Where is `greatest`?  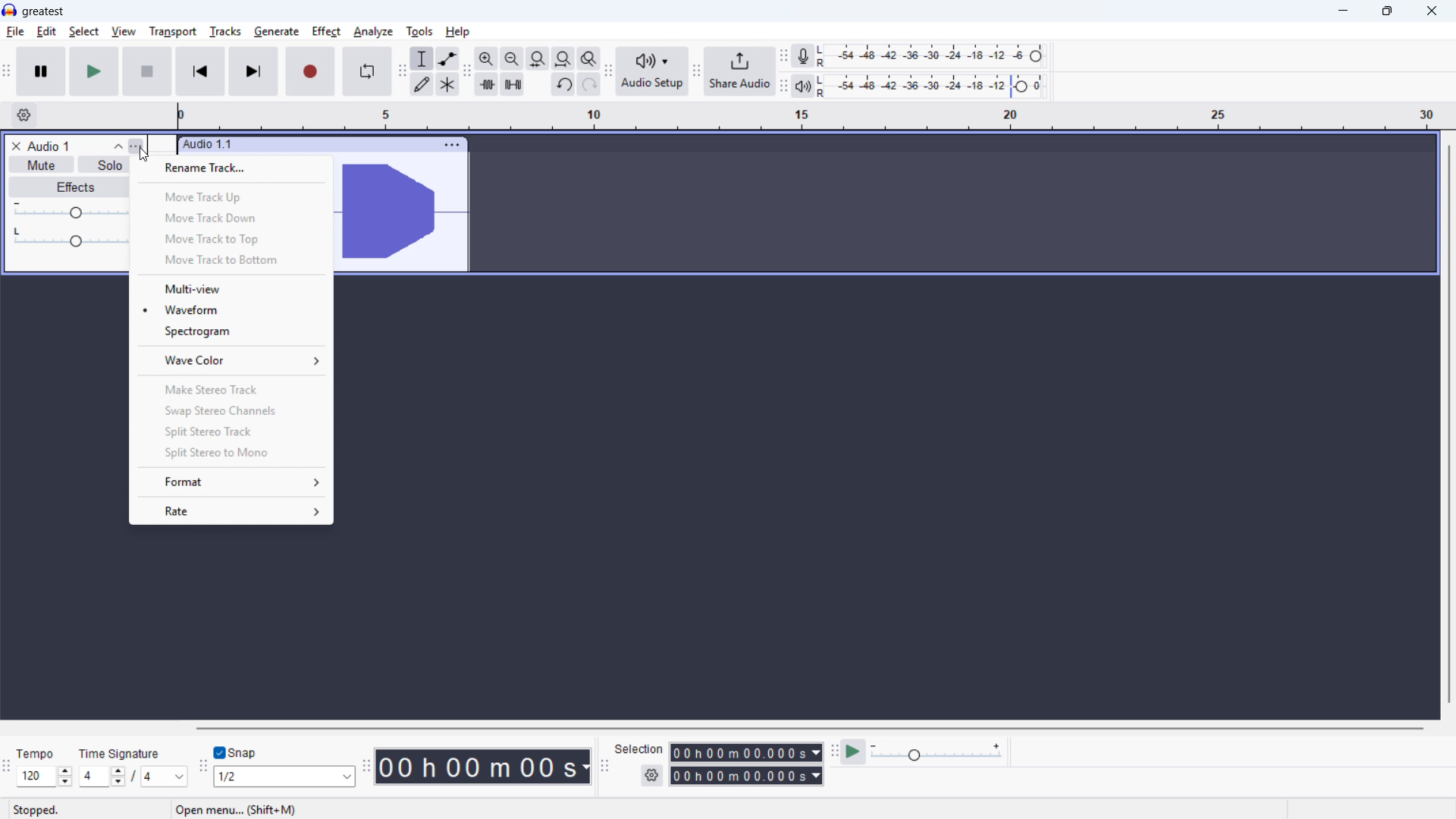
greatest is located at coordinates (43, 12).